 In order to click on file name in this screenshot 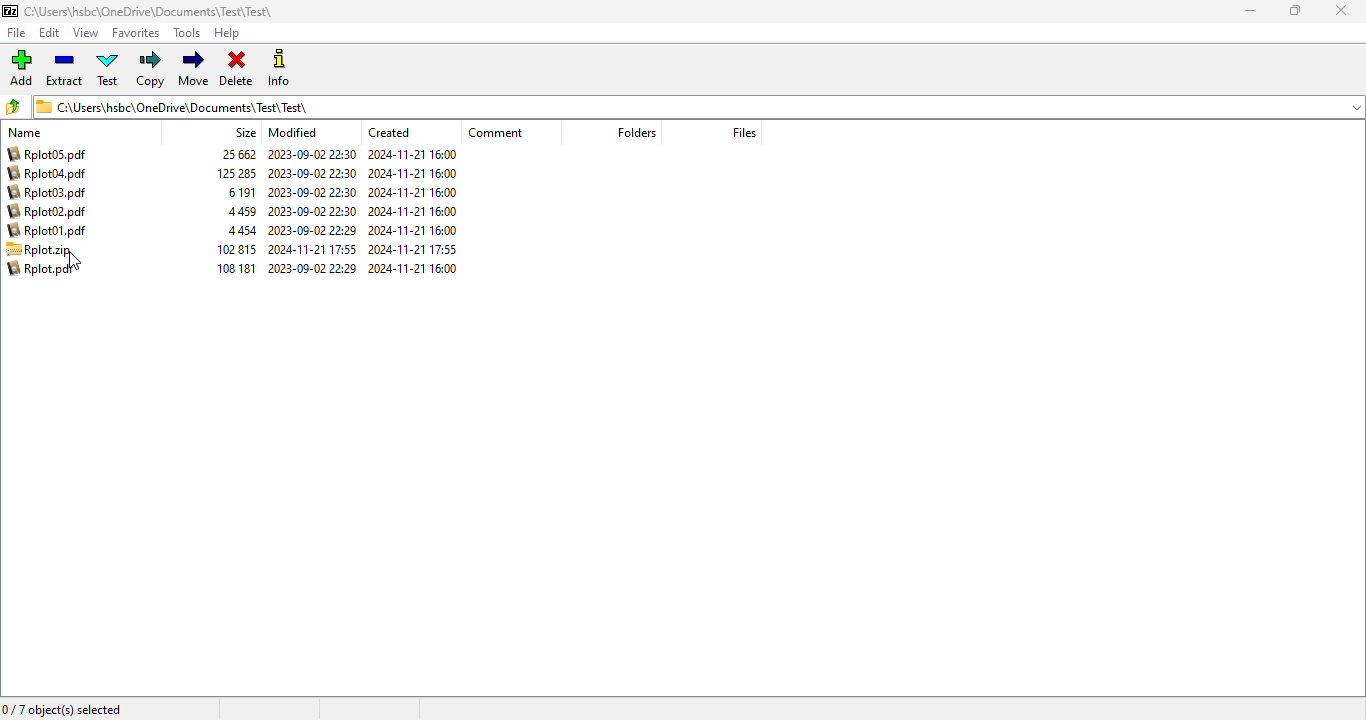, I will do `click(46, 192)`.